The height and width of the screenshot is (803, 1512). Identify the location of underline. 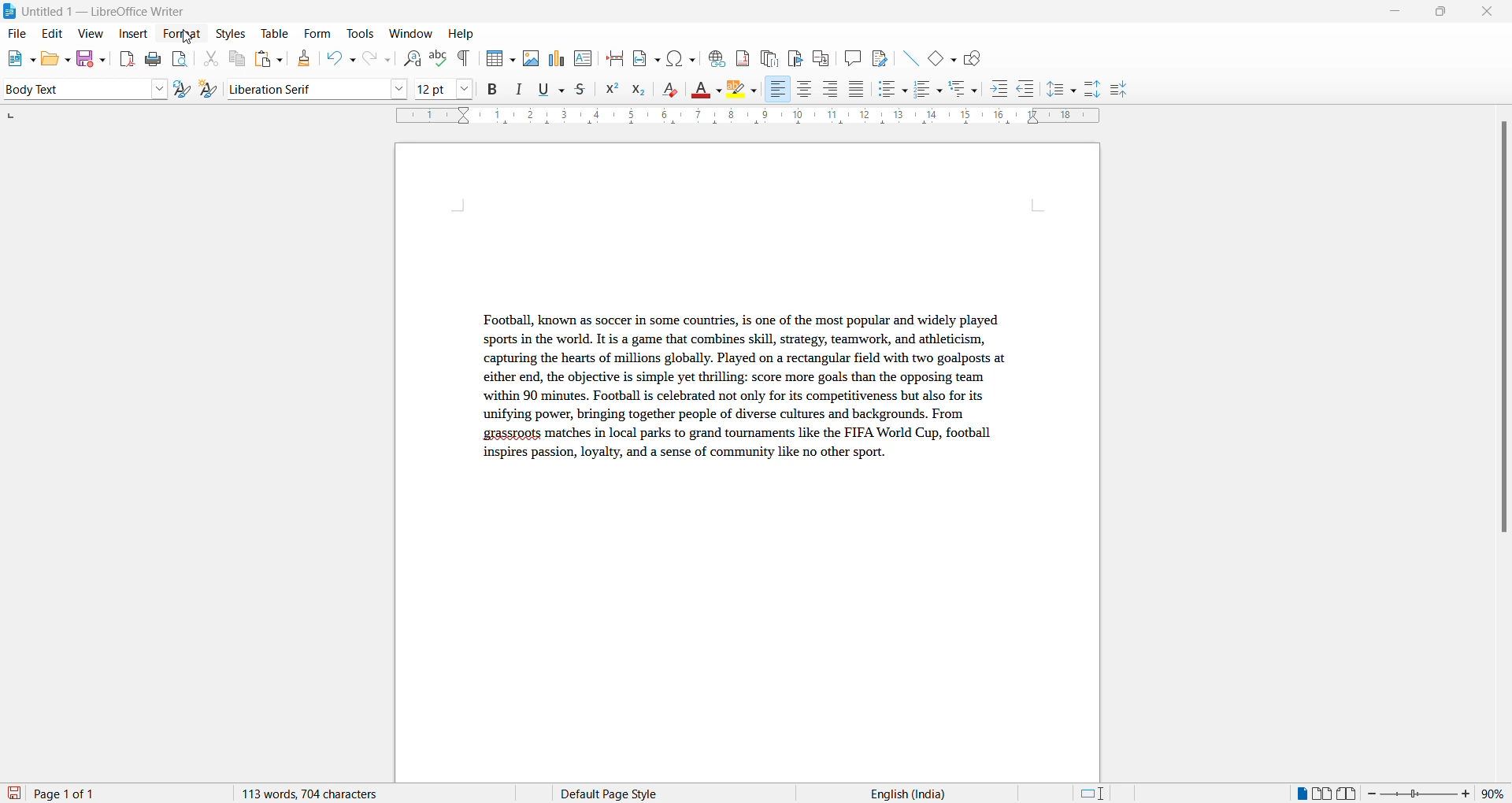
(552, 89).